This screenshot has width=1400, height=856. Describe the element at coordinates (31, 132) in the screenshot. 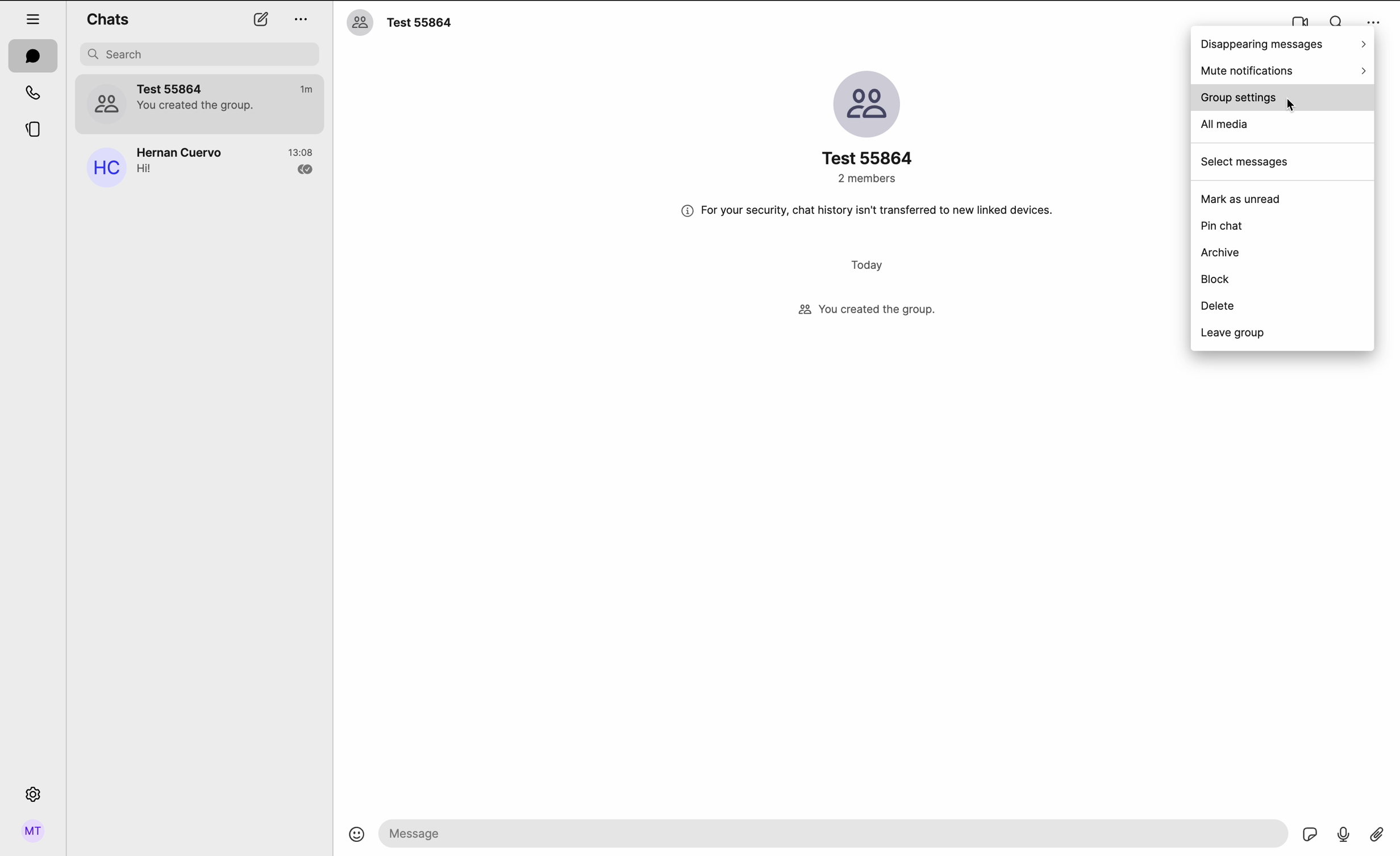

I see `stories` at that location.